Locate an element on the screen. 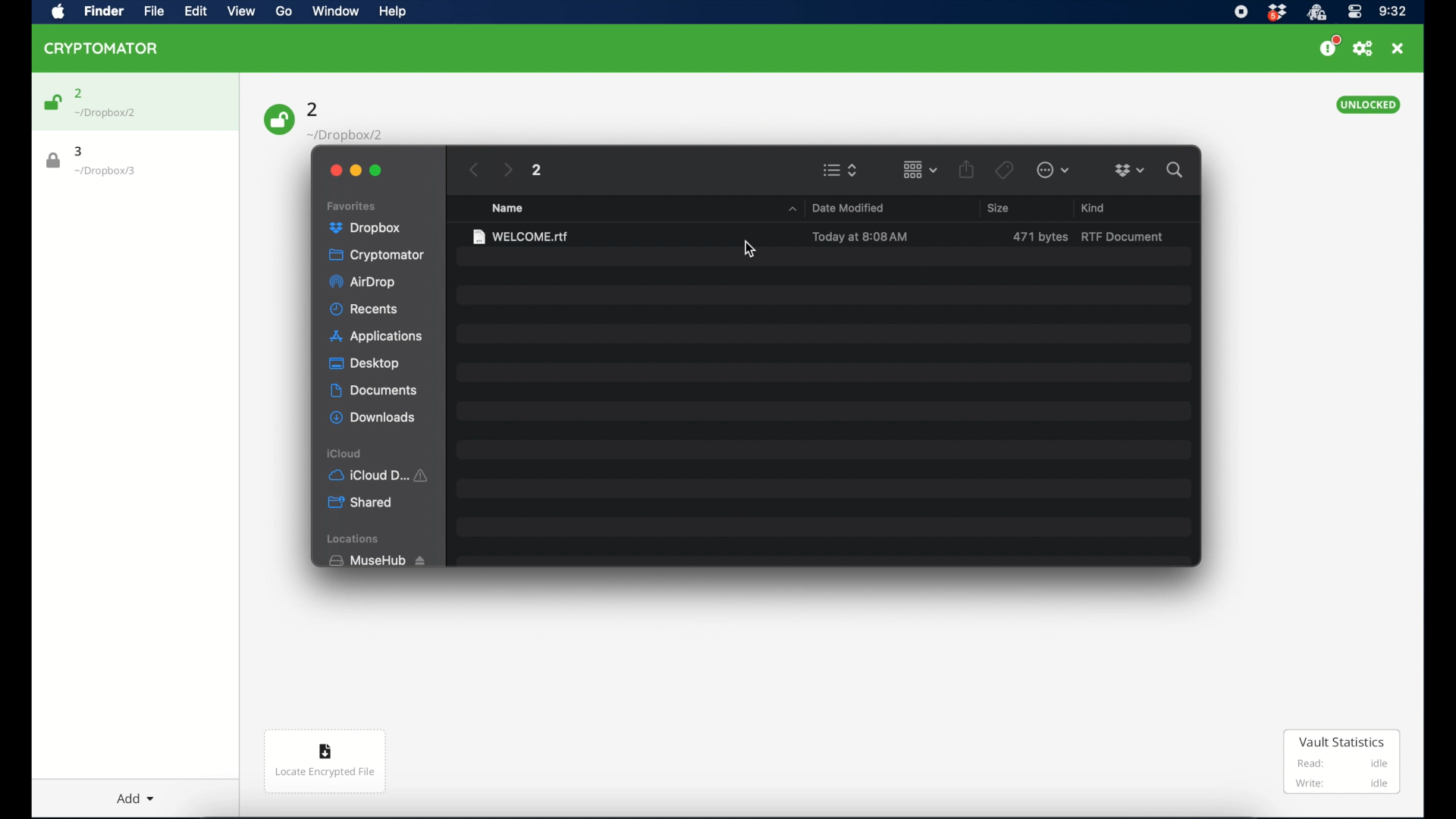 This screenshot has width=1456, height=819. more options is located at coordinates (1053, 171).